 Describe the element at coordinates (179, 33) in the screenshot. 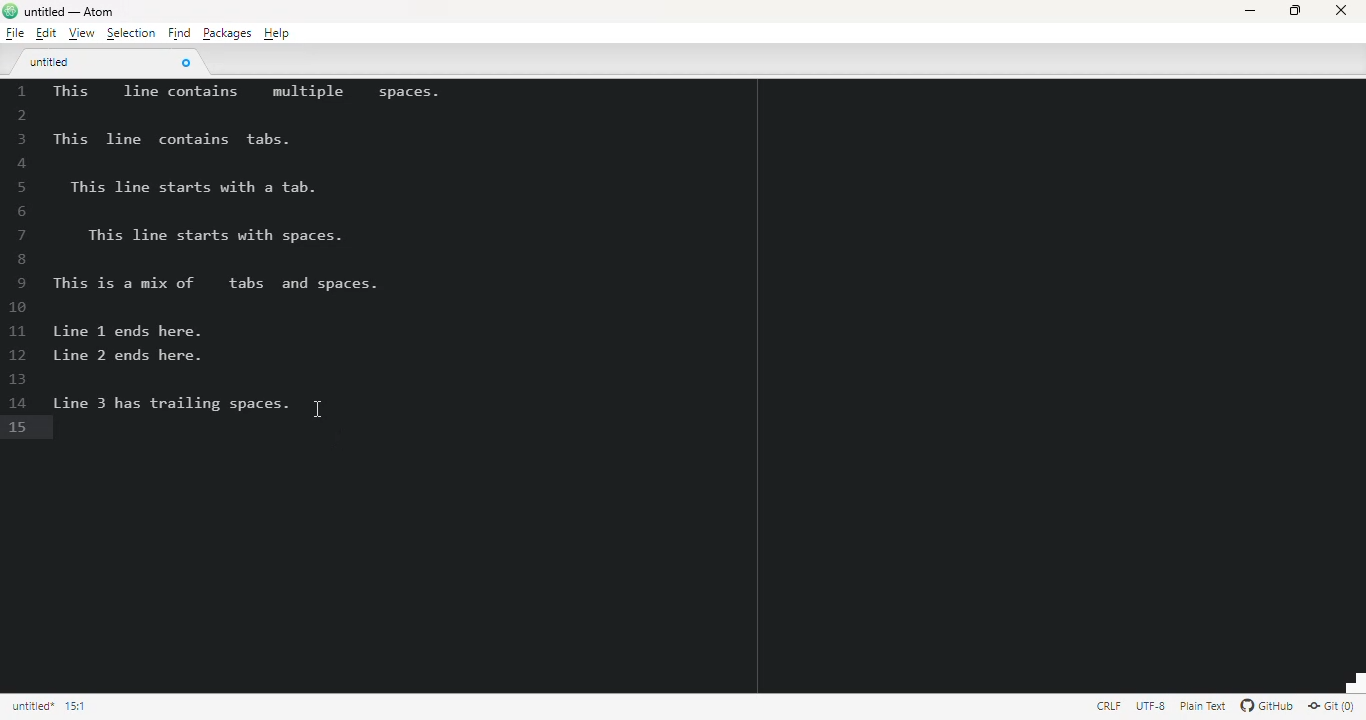

I see `find` at that location.